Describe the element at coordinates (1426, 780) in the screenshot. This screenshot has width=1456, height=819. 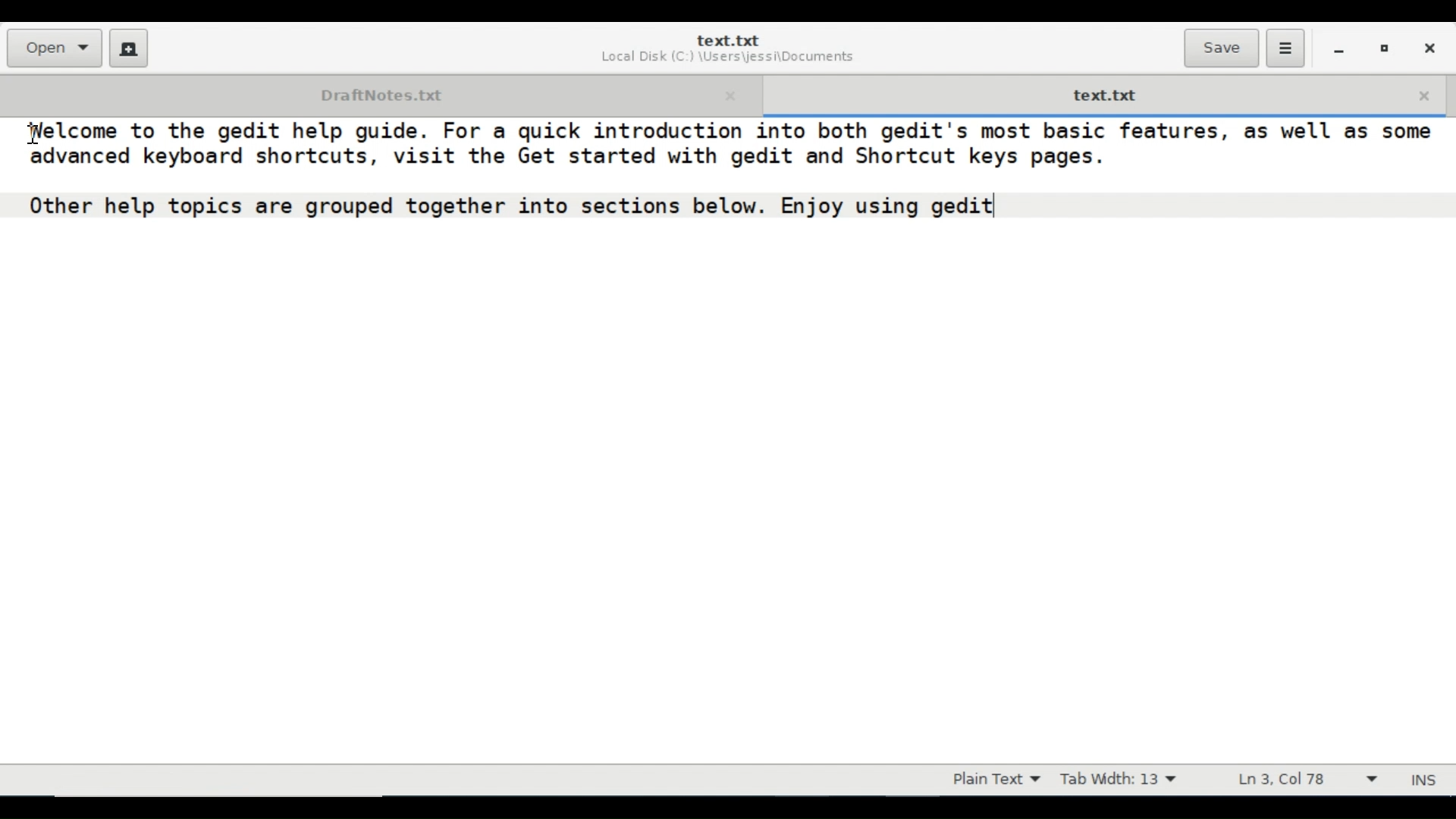
I see `Insert Mode` at that location.